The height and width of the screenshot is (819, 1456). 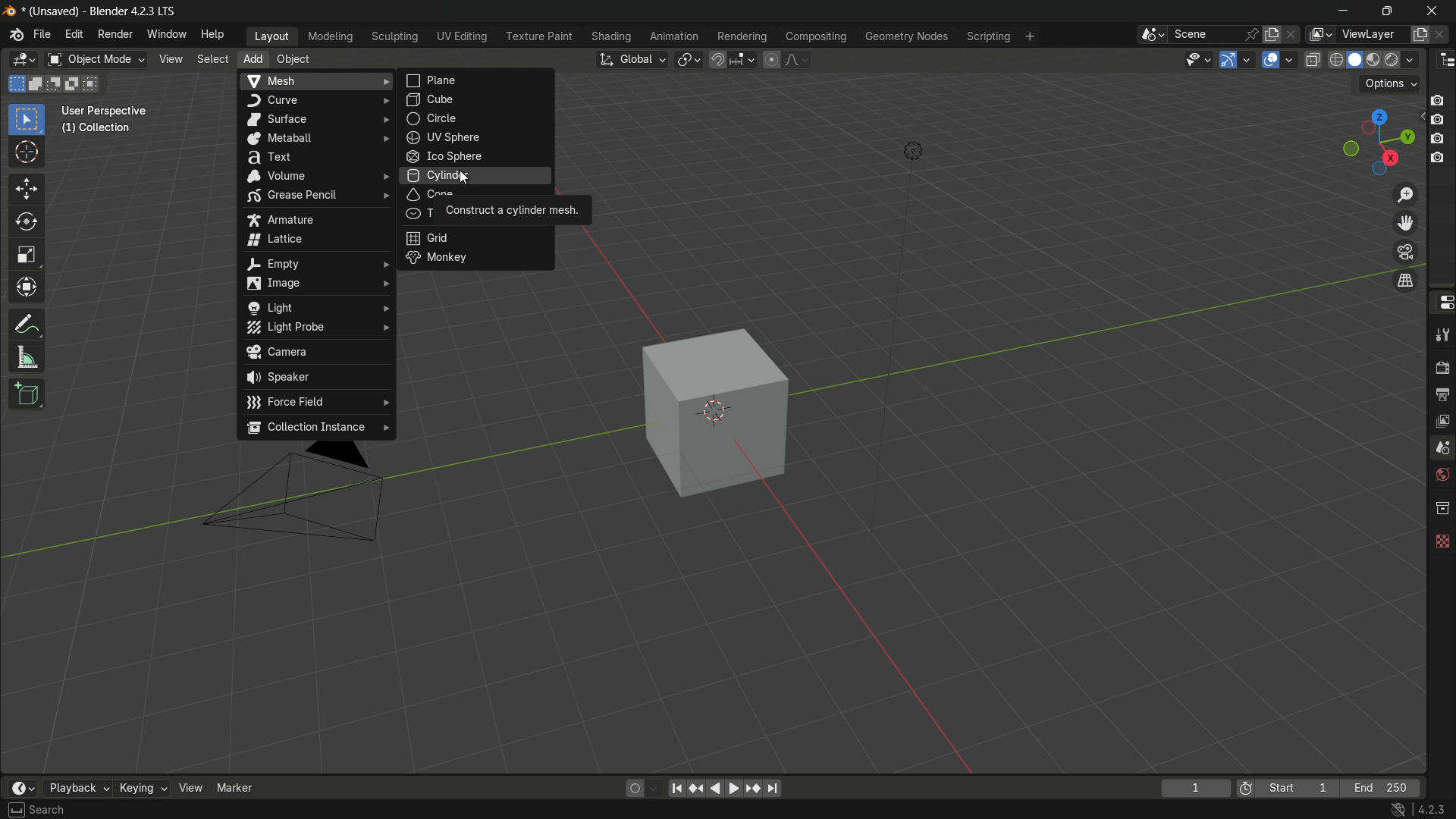 What do you see at coordinates (708, 409) in the screenshot?
I see `cube` at bounding box center [708, 409].